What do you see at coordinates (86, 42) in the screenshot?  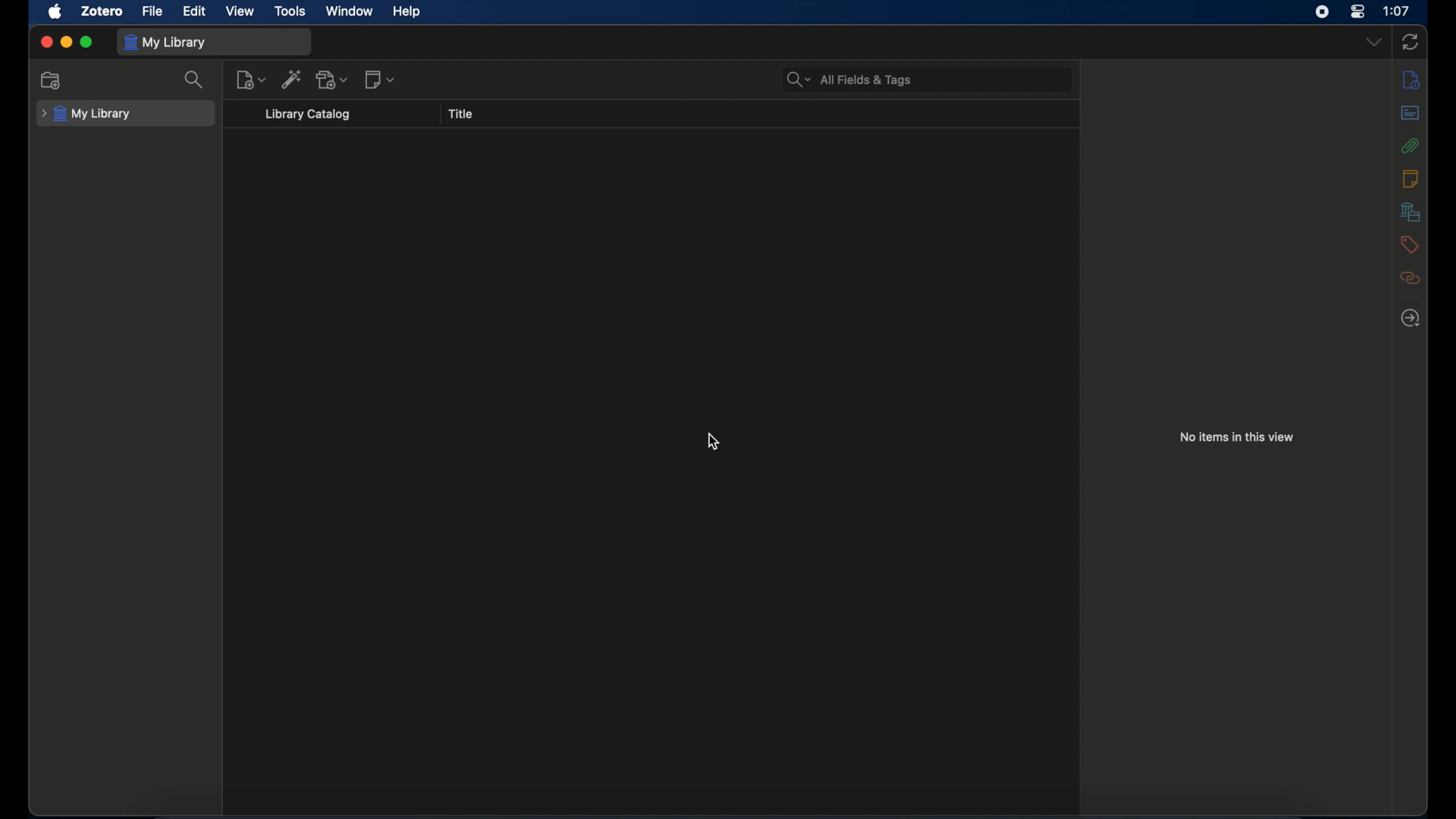 I see `maximize` at bounding box center [86, 42].